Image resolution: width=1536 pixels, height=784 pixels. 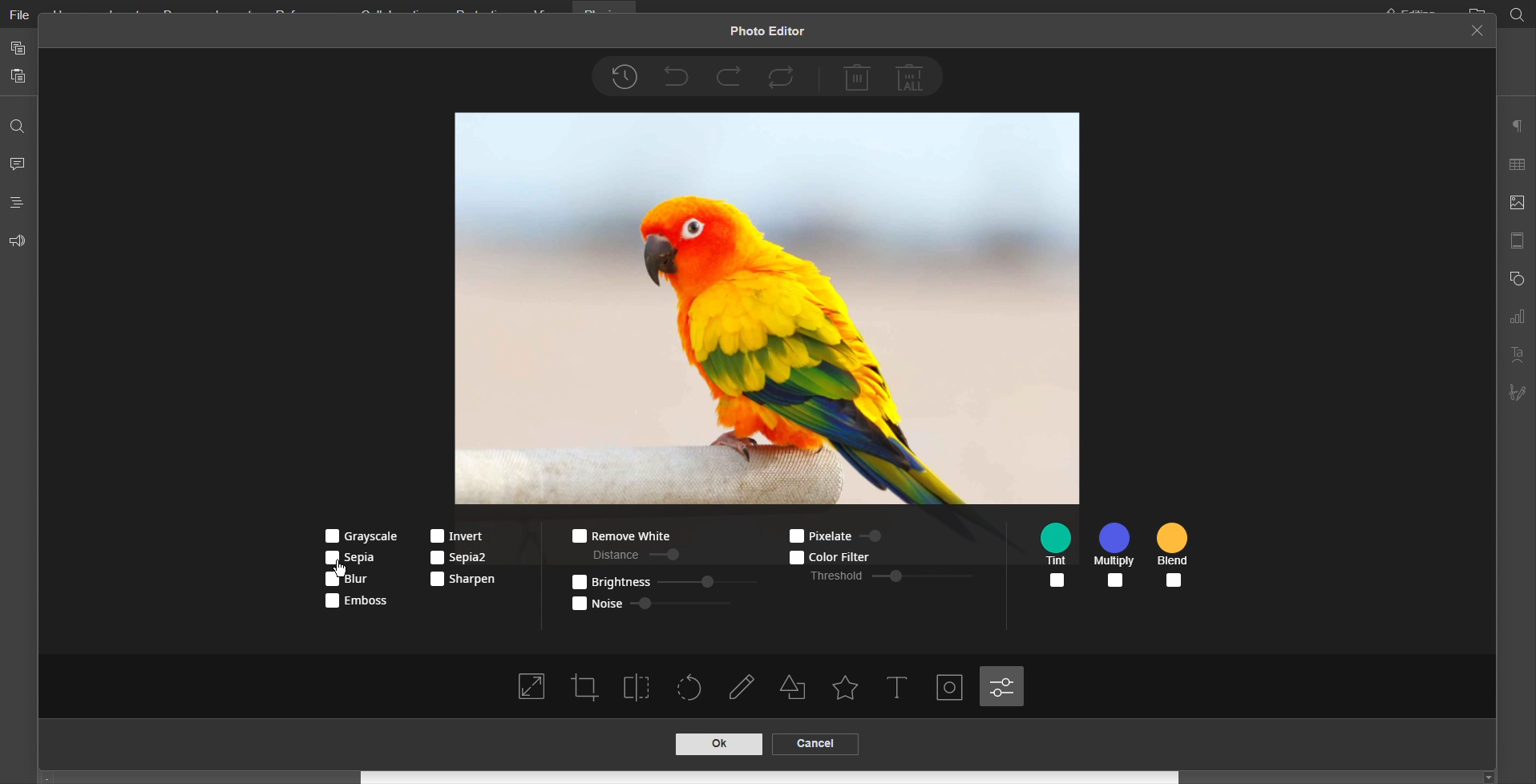 What do you see at coordinates (624, 77) in the screenshot?
I see `Version` at bounding box center [624, 77].